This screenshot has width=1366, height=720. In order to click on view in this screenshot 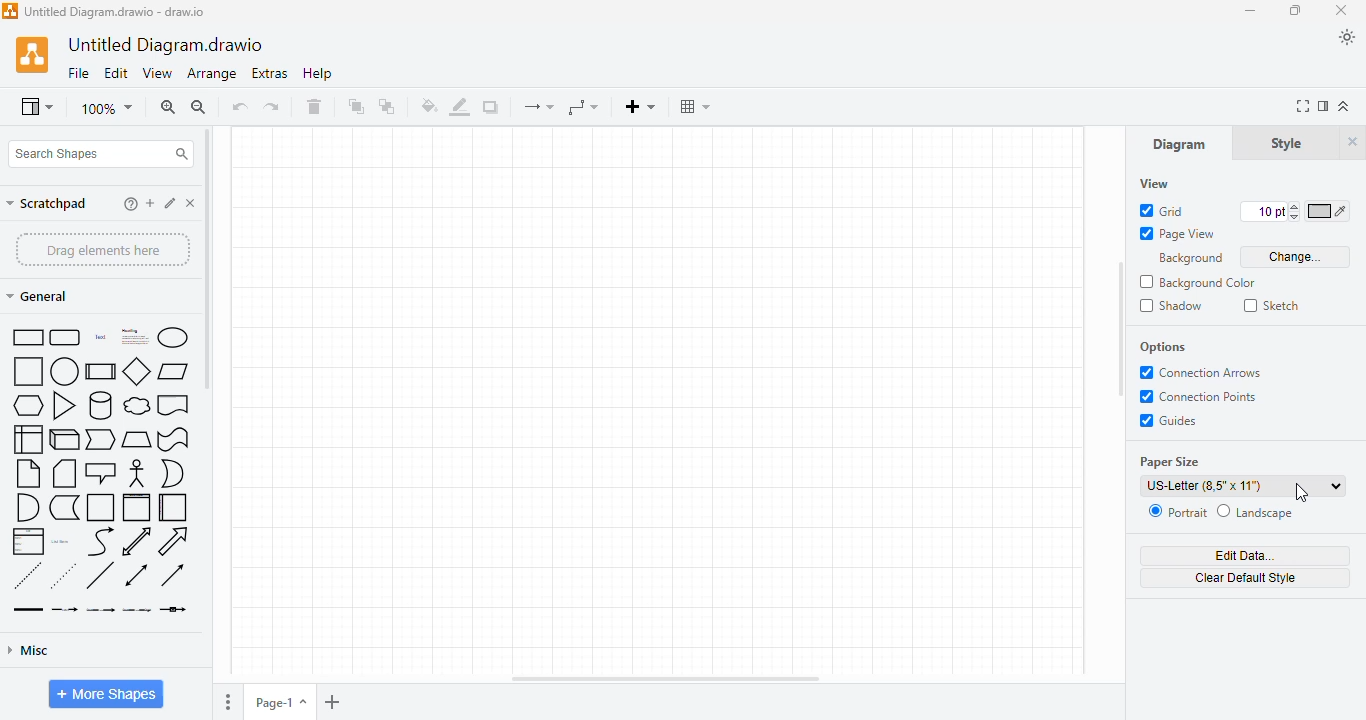, I will do `click(157, 73)`.